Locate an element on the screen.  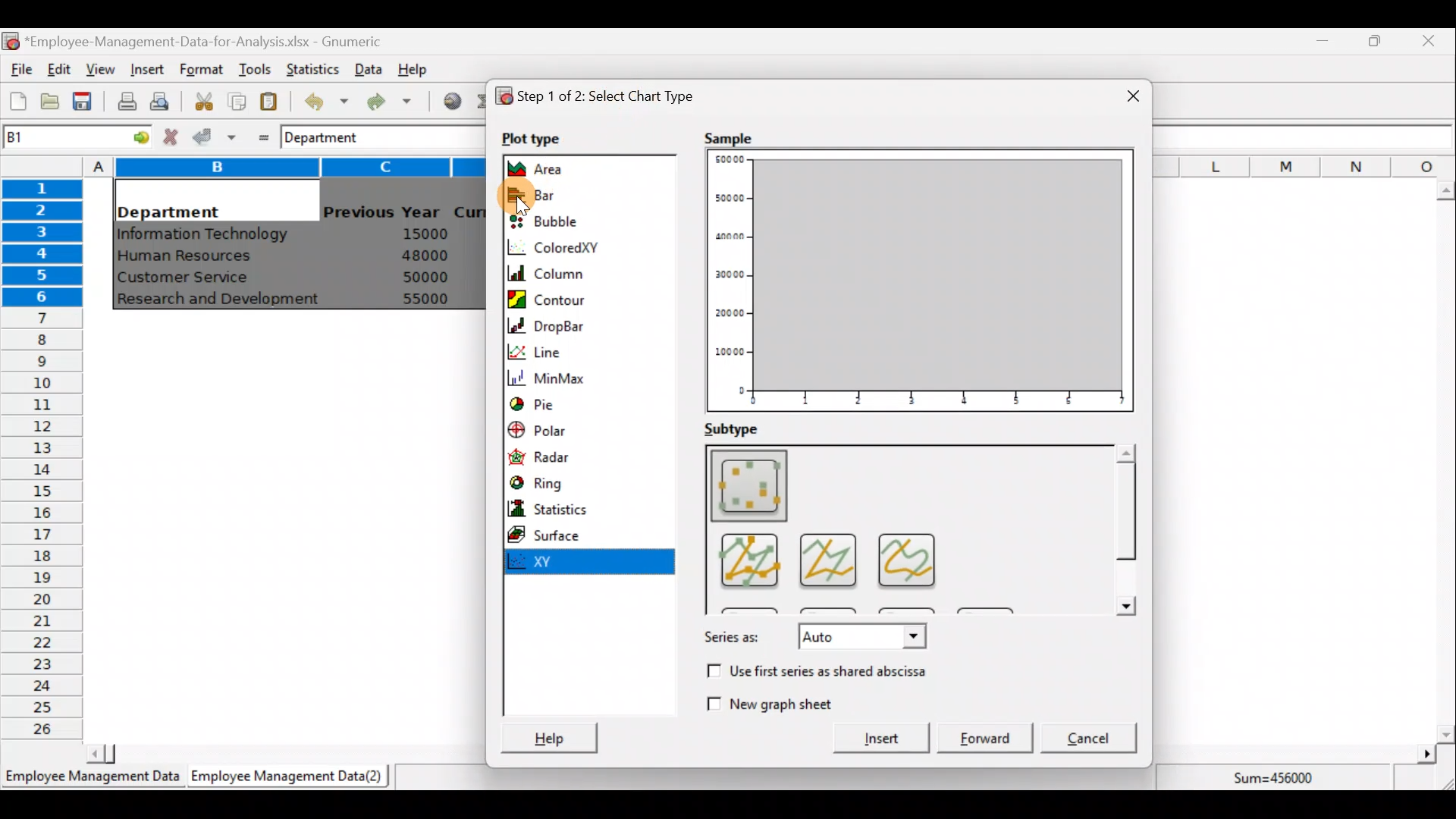
ColoredXY is located at coordinates (581, 246).